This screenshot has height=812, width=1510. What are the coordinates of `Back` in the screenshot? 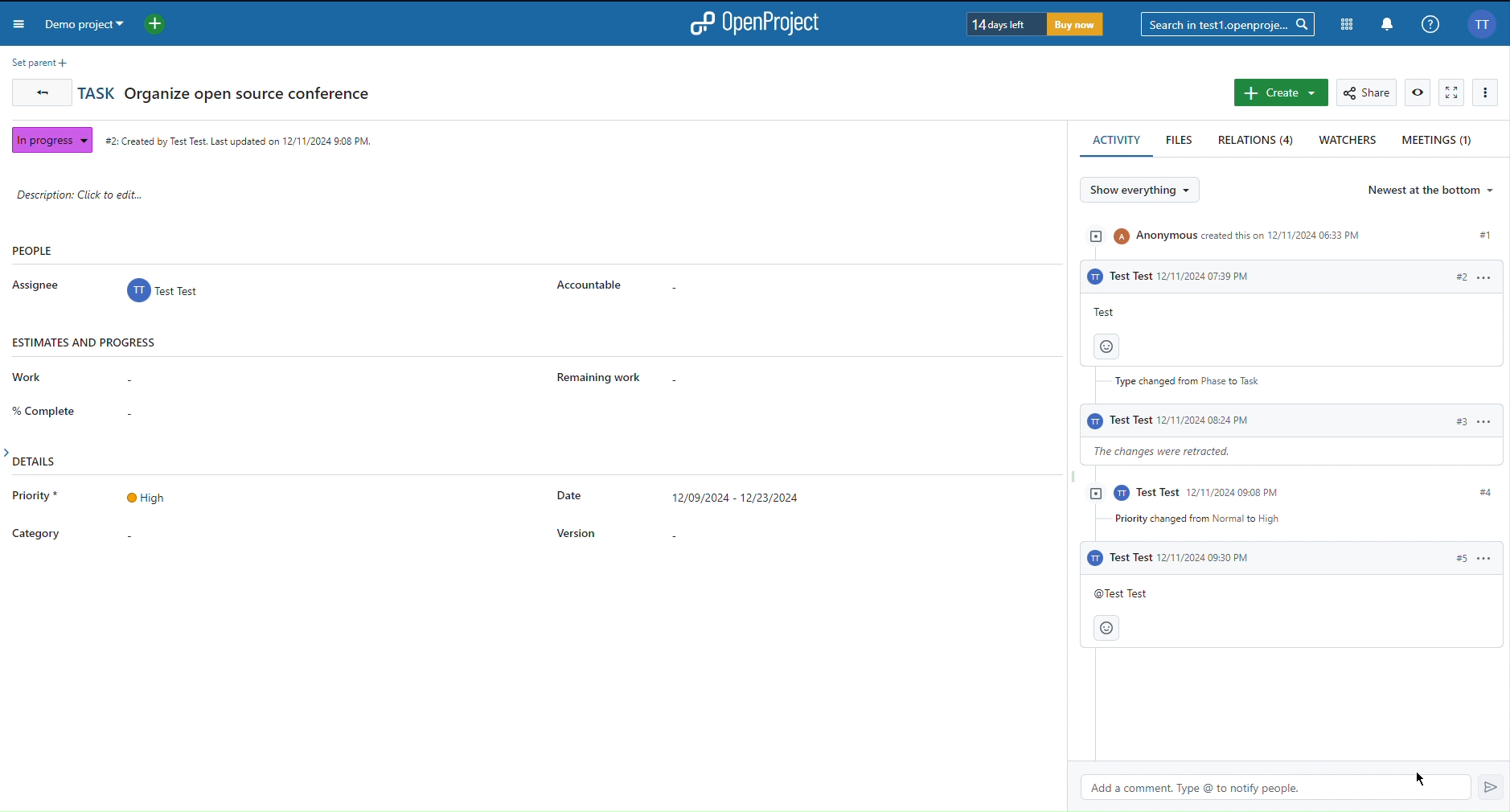 It's located at (39, 95).